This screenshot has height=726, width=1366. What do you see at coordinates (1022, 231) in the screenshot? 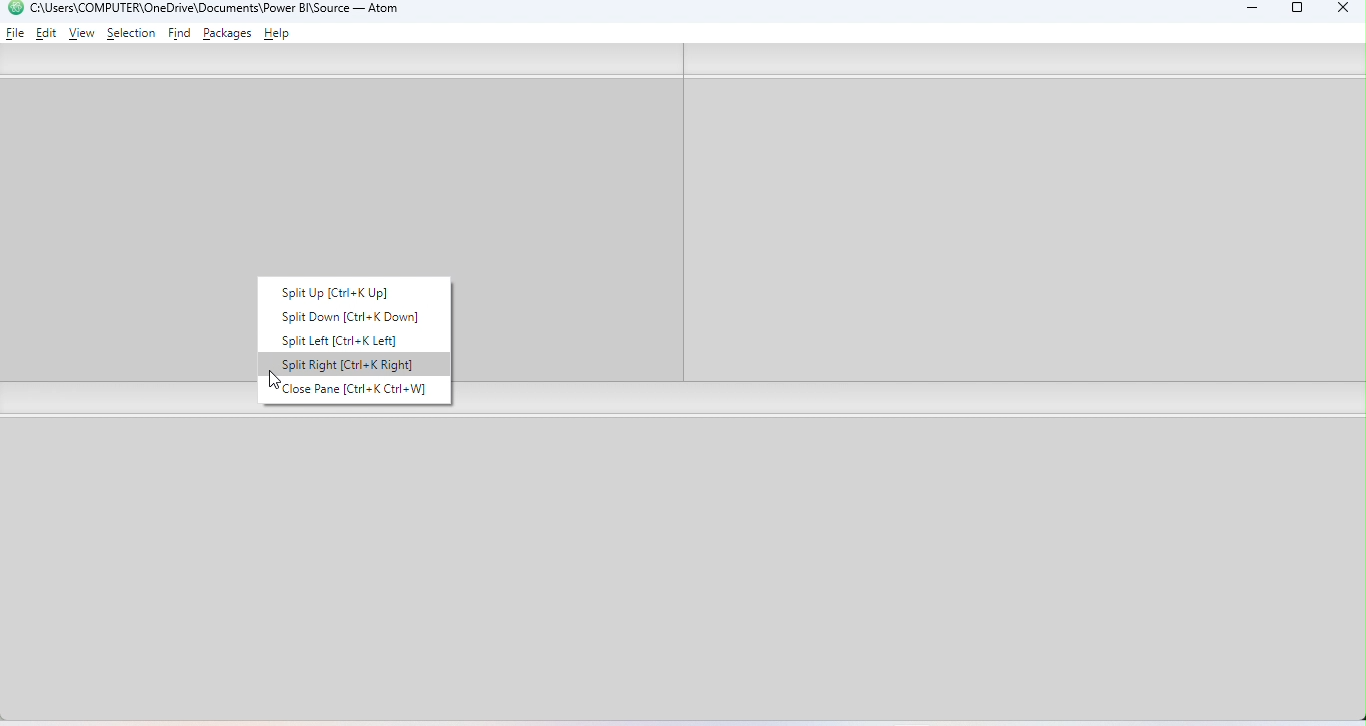
I see `Pane 2` at bounding box center [1022, 231].